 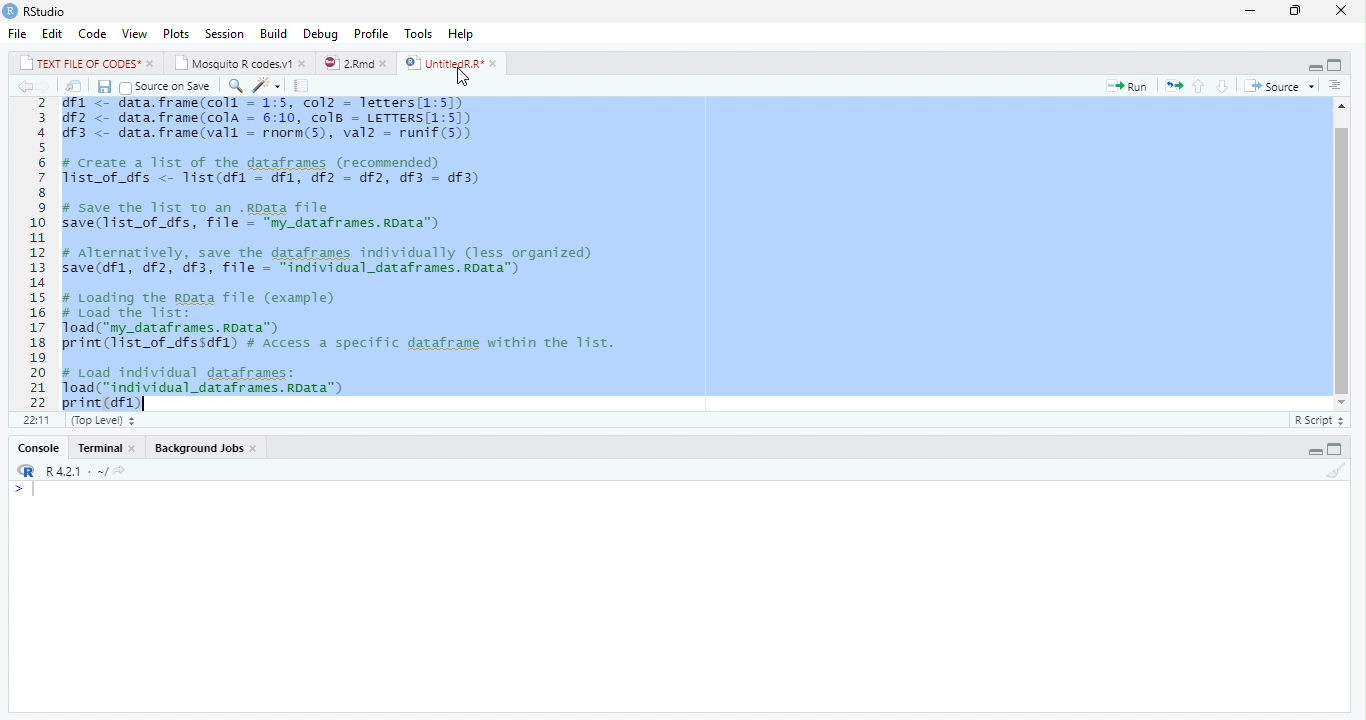 I want to click on dfl <- data.frame(coll = 1:5, col2 = Jetters[1:5])

4f2 <- data.frame(cola = 6:10, cols = LETTERS[1:5])

d4f3 <- data.frame(vall = rnorn(s), val2 = runif(5))

# create a 1ist of the dataframes (recommended)

list_of_dfs <- 1ist(dfl = dfi, df2 = df2, df3 = df3)

# save the list to an .Roata file

save(list_of dfs, file = "my_dataframes.rData")

# Alternatively, save the datafranes individually (less organized)
save(df1, df2, df3, file = "individual_dataframes.RData")

# Loading the roata file (example)

# Load the list:

Toad("my_dataframes. roata")

print(115t_of_dfssdf1) # Access a specific dataframe within the list.
# Load individual dataframes:

Toad("individual_datafranes. Roata")

print(df1)|, so click(x=355, y=253).